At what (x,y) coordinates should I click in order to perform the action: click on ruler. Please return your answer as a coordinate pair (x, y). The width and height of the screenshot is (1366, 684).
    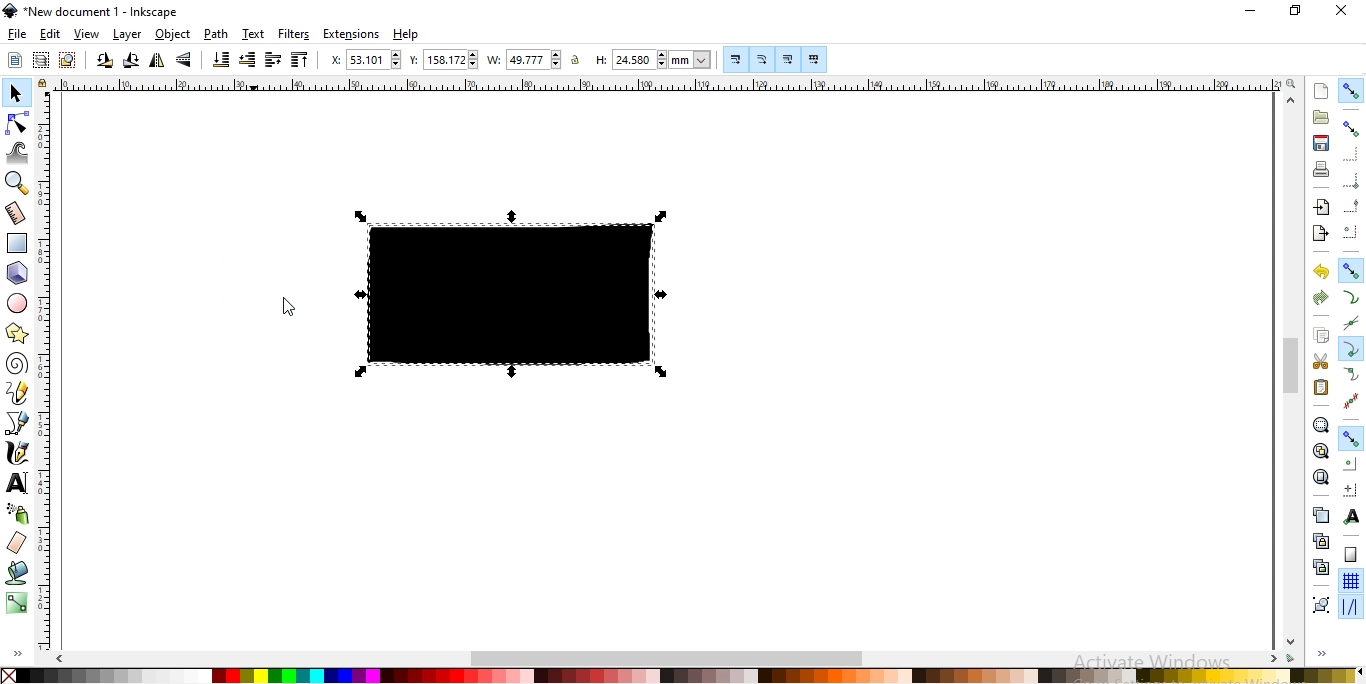
    Looking at the image, I should click on (50, 376).